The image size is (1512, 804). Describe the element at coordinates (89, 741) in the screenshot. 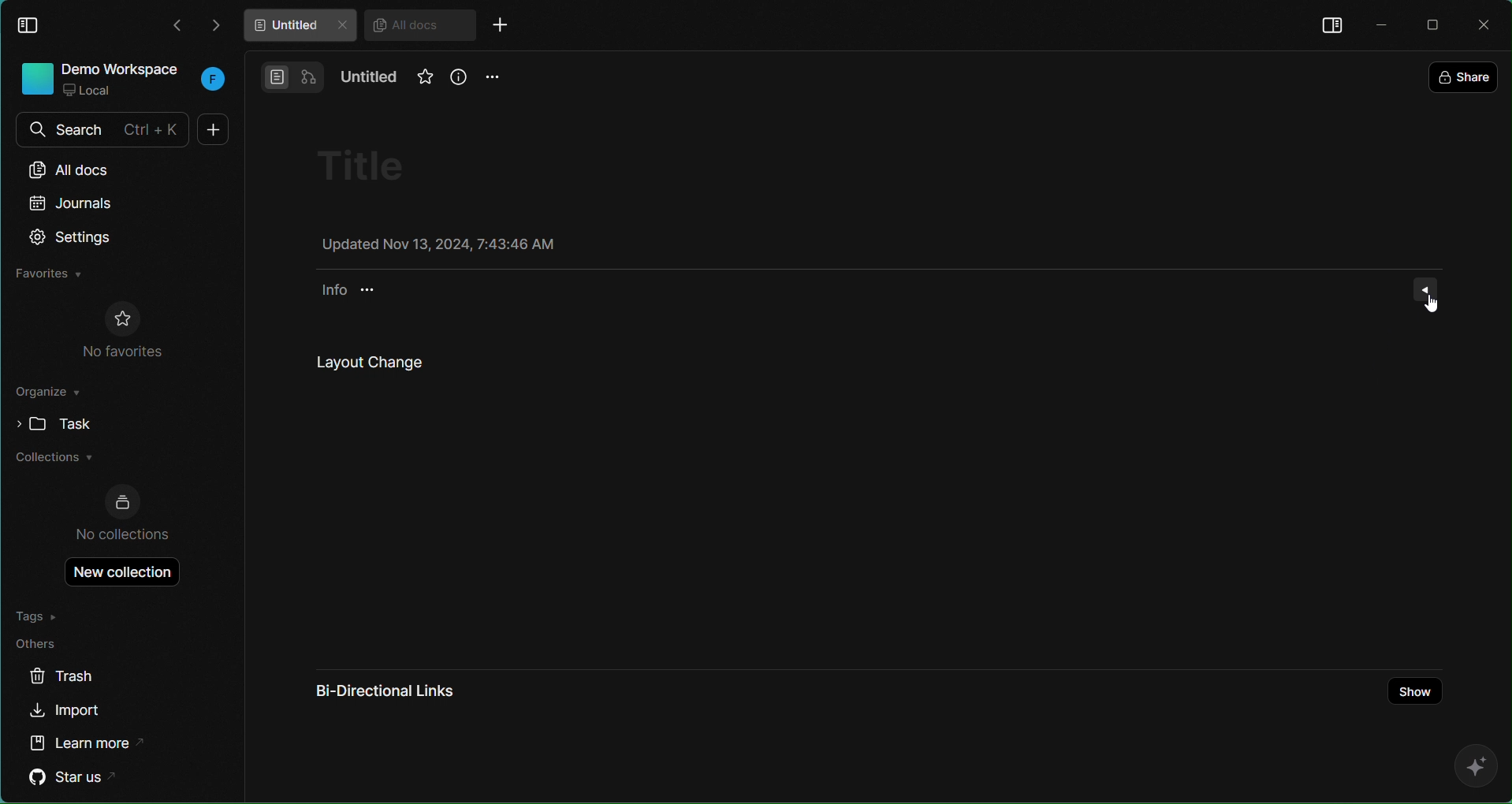

I see `learn more ` at that location.